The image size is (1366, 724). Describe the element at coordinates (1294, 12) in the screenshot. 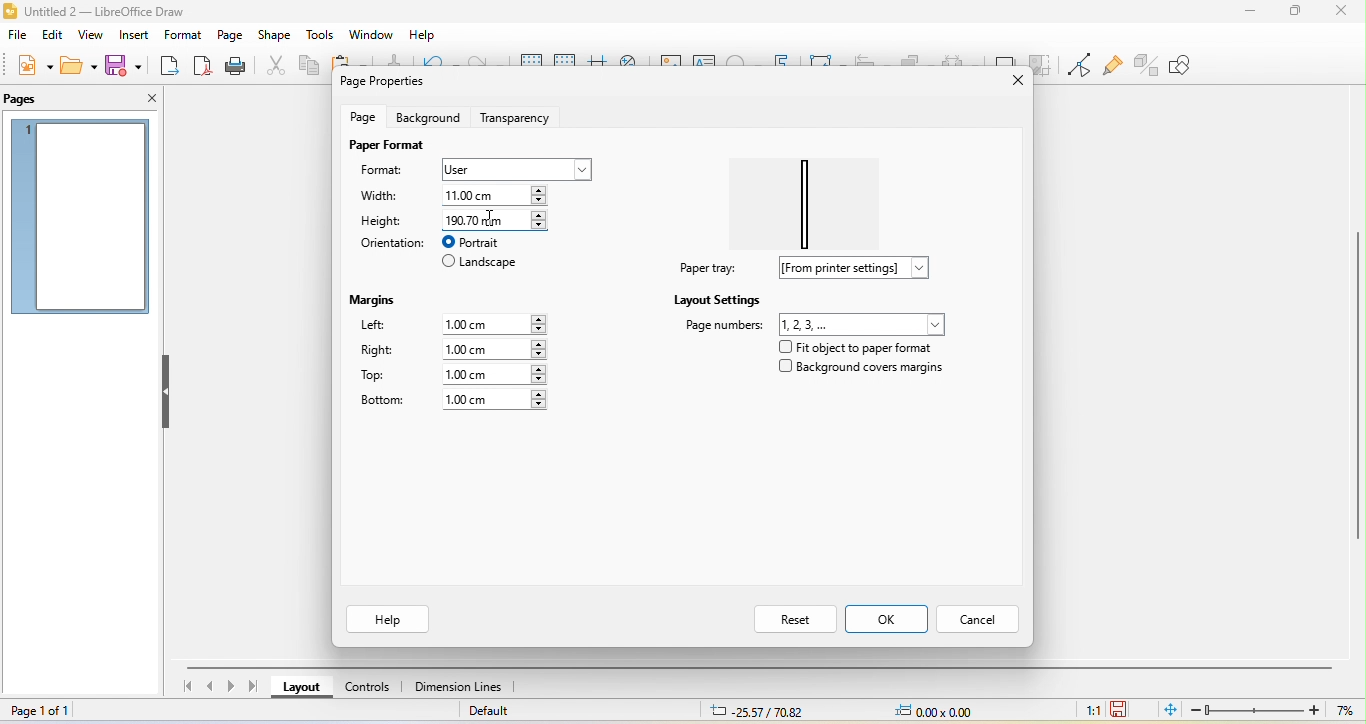

I see `maximize` at that location.